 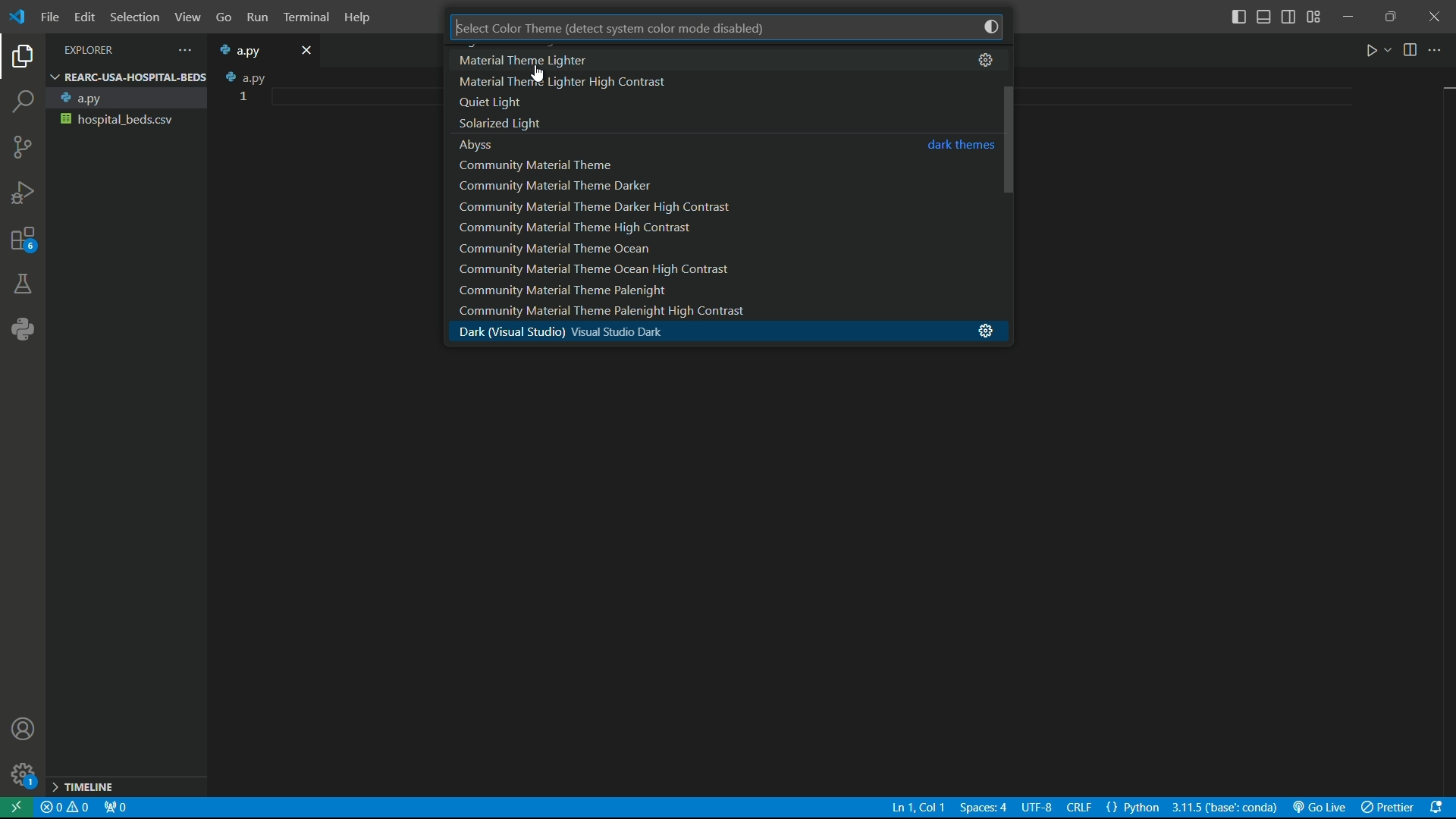 What do you see at coordinates (1439, 808) in the screenshot?
I see `notifications` at bounding box center [1439, 808].